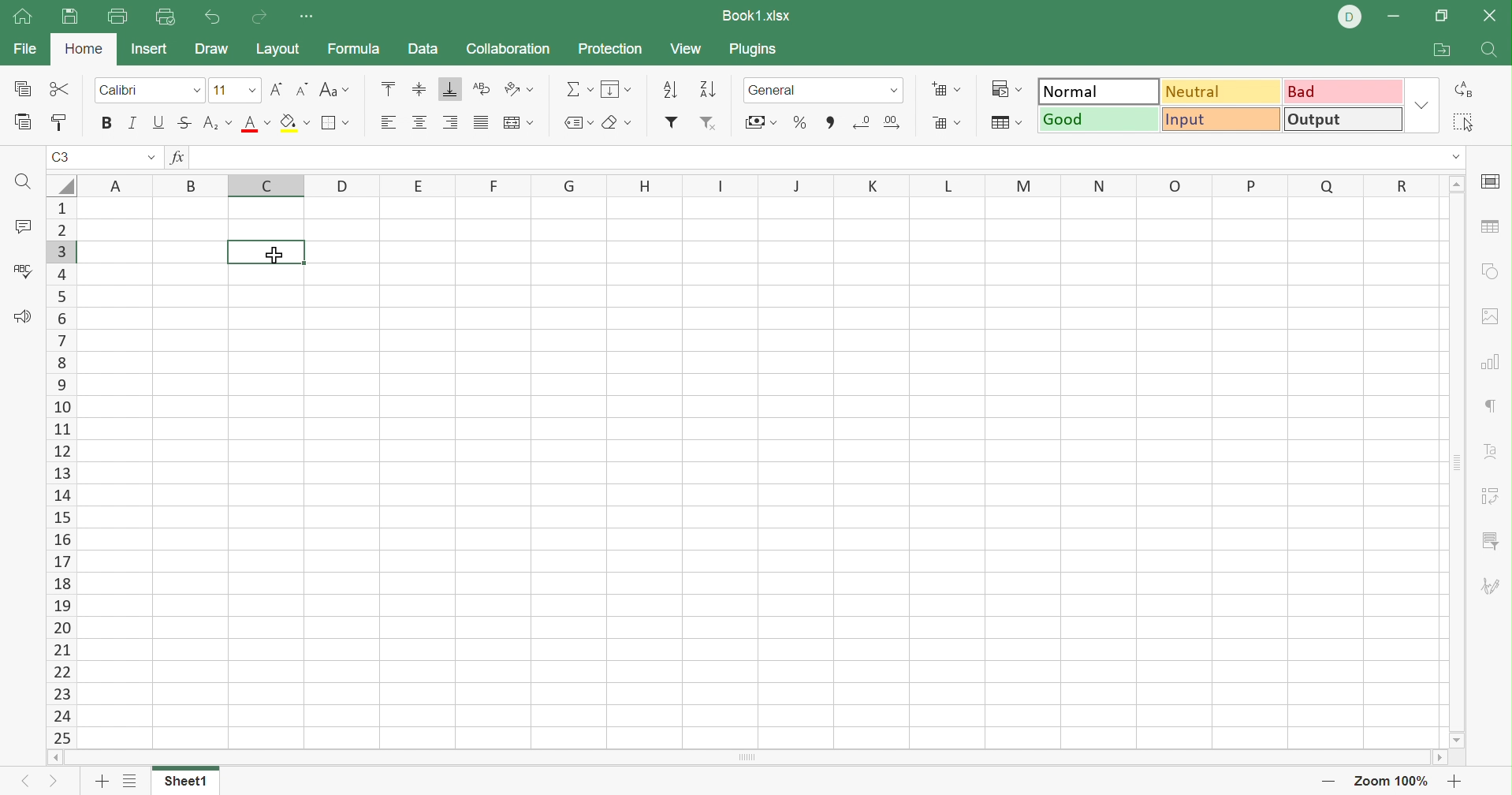 The width and height of the screenshot is (1512, 795). Describe the element at coordinates (335, 87) in the screenshot. I see `Change case` at that location.